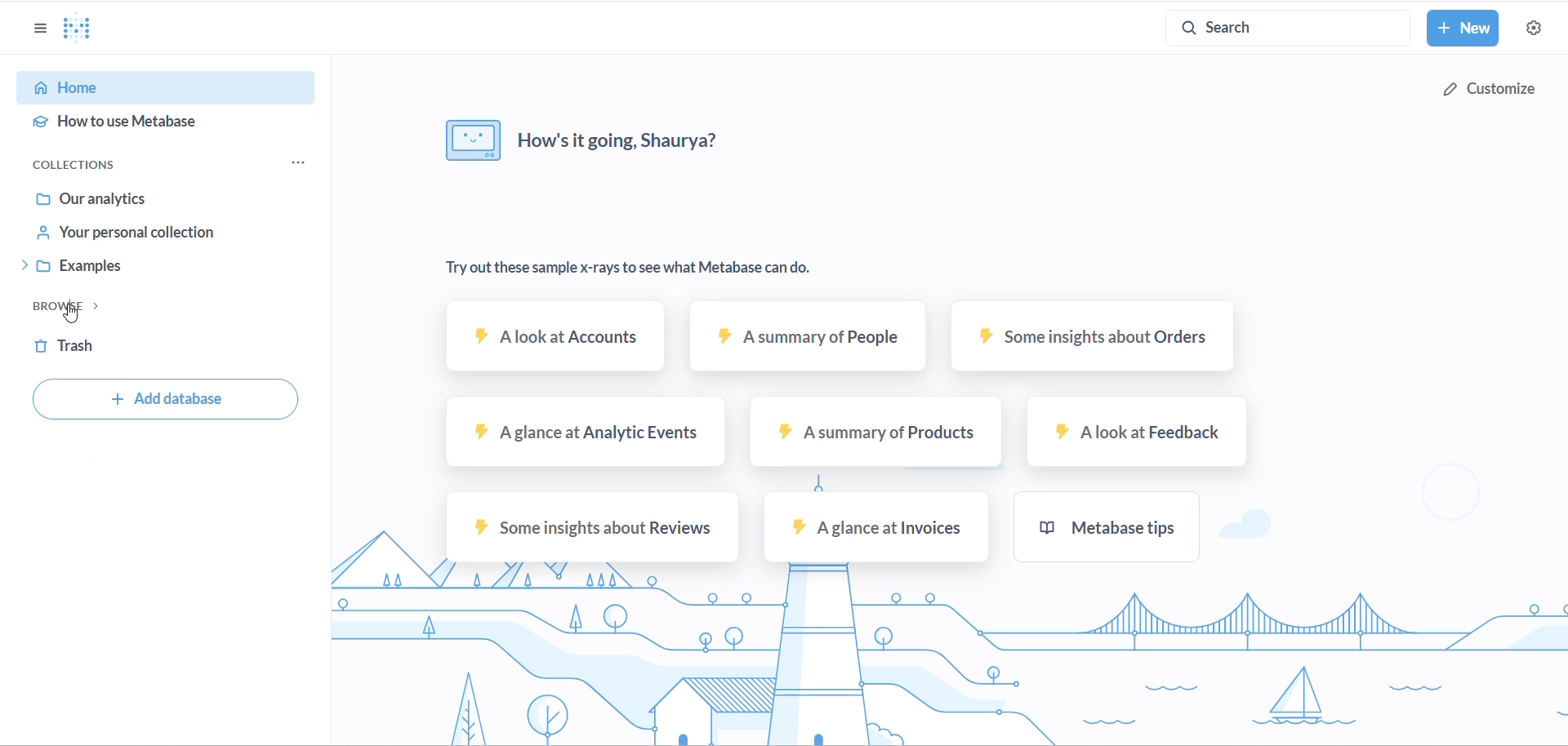 The image size is (1568, 746). I want to click on how's it going, Shaurya?, so click(609, 143).